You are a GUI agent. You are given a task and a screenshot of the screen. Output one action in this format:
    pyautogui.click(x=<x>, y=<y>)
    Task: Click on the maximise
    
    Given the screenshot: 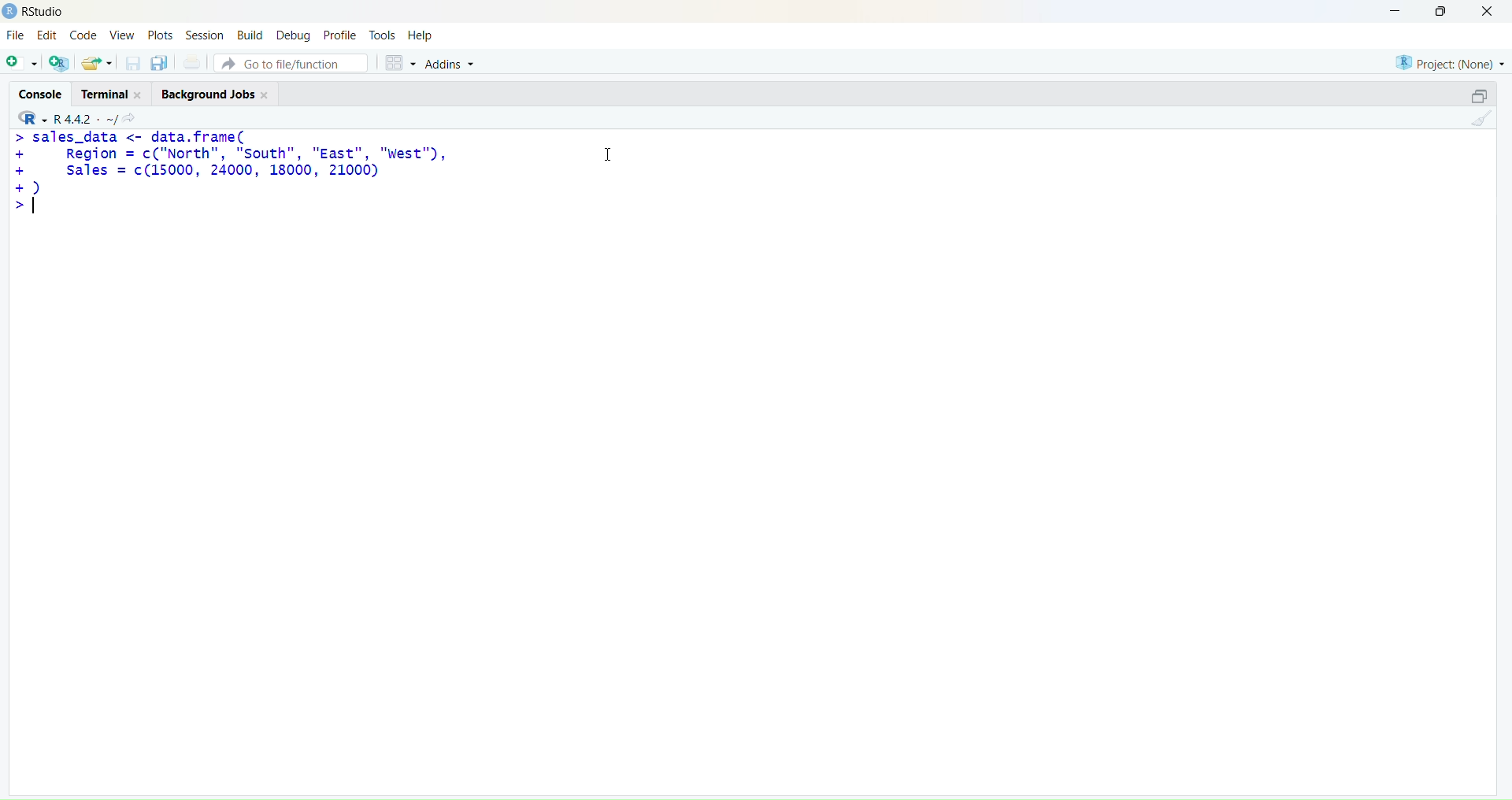 What is the action you would take?
    pyautogui.click(x=1444, y=11)
    